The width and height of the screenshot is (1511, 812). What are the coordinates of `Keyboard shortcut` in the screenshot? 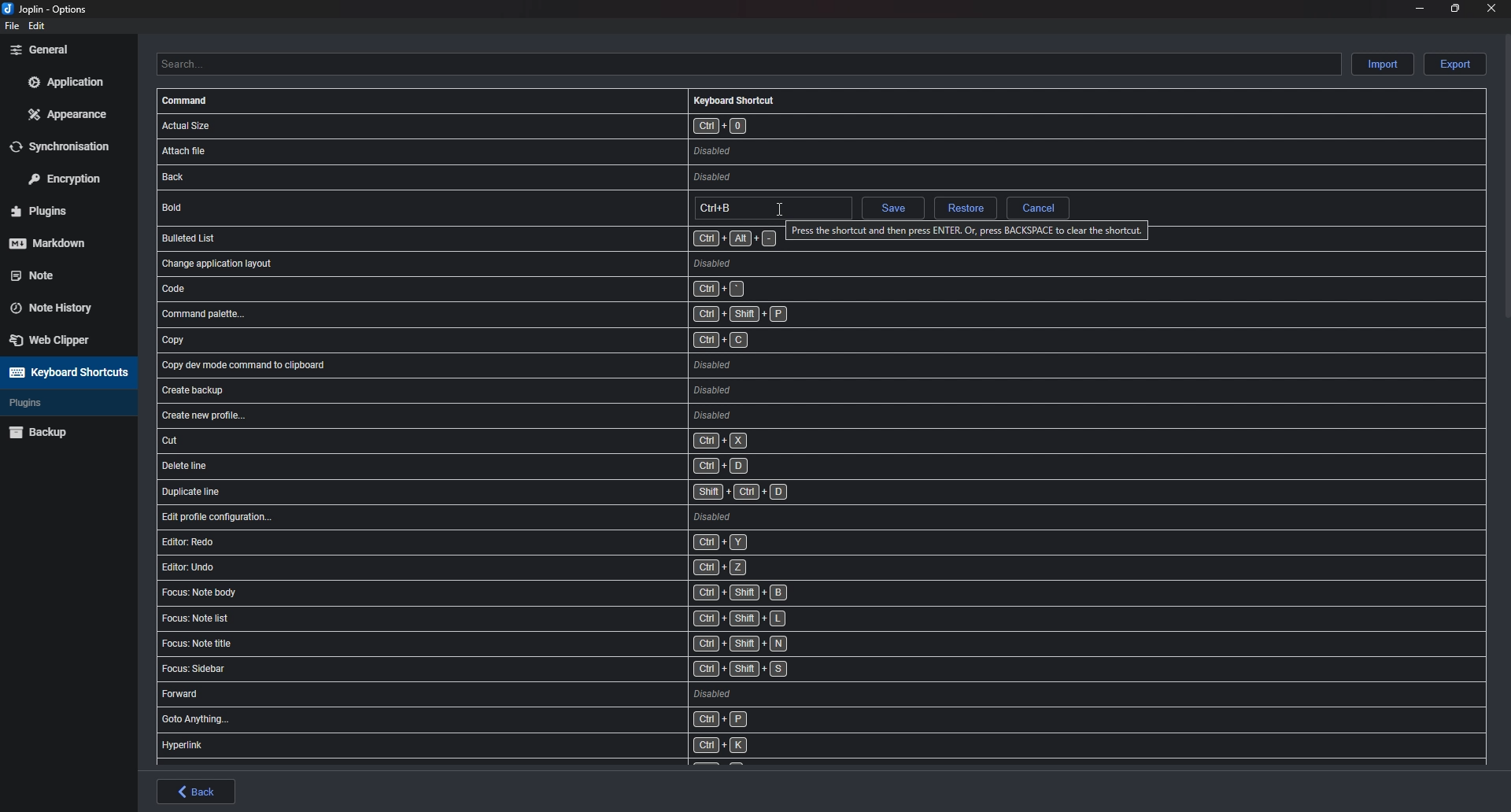 It's located at (734, 100).